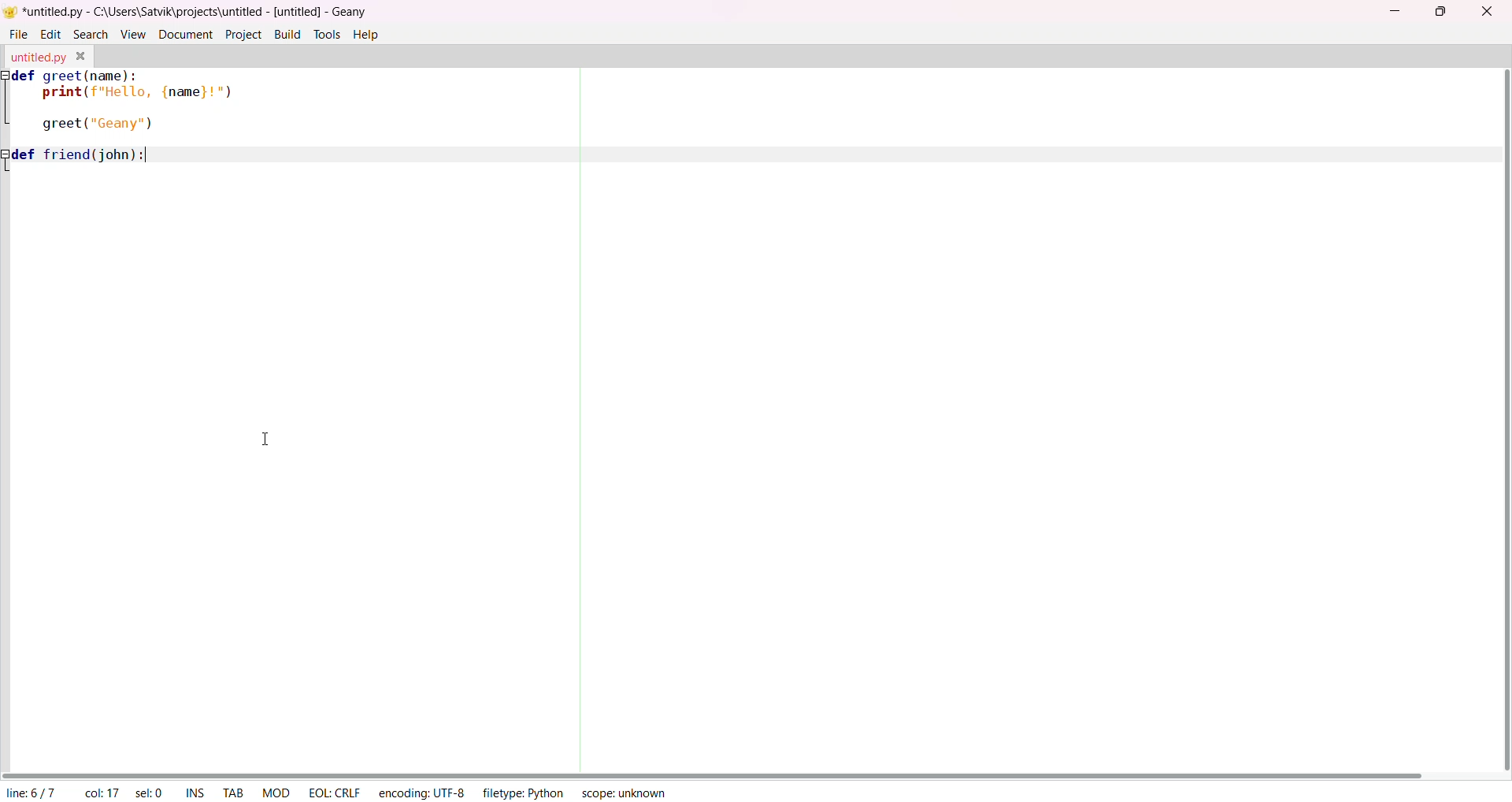 The image size is (1512, 802). I want to click on help, so click(364, 35).